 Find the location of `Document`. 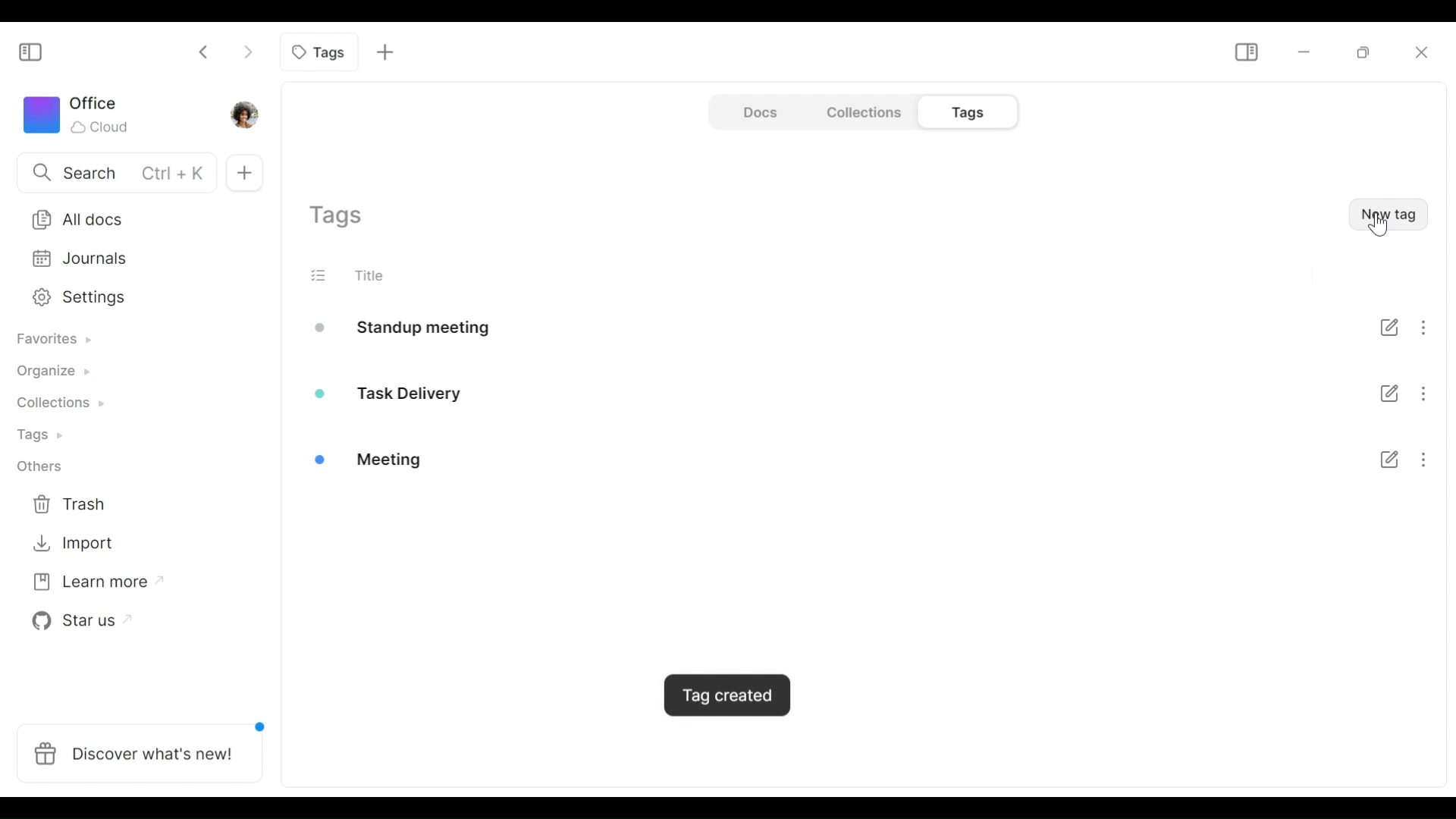

Document is located at coordinates (758, 112).